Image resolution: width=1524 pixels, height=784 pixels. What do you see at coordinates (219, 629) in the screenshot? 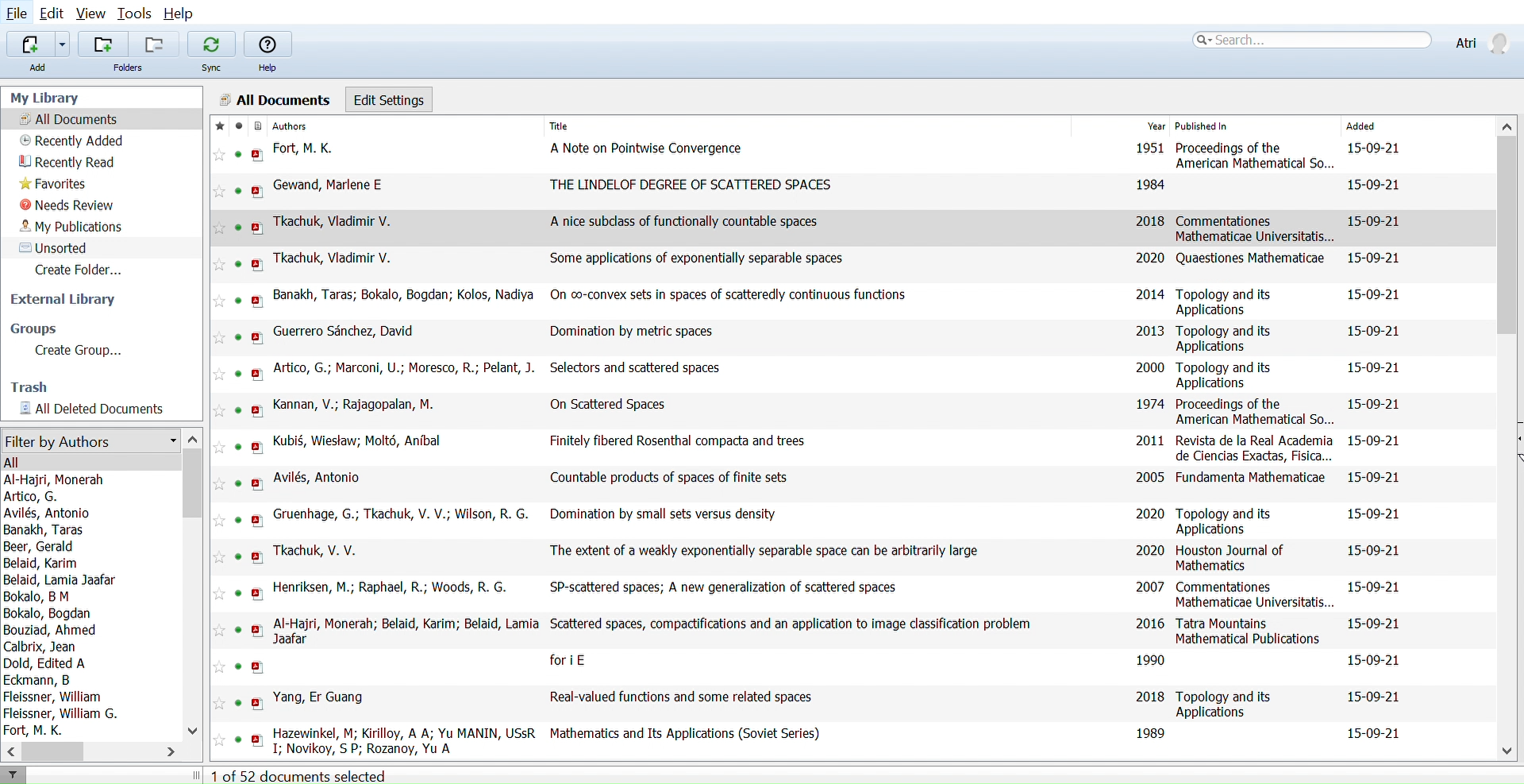
I see `Add this reference to favorites` at bounding box center [219, 629].